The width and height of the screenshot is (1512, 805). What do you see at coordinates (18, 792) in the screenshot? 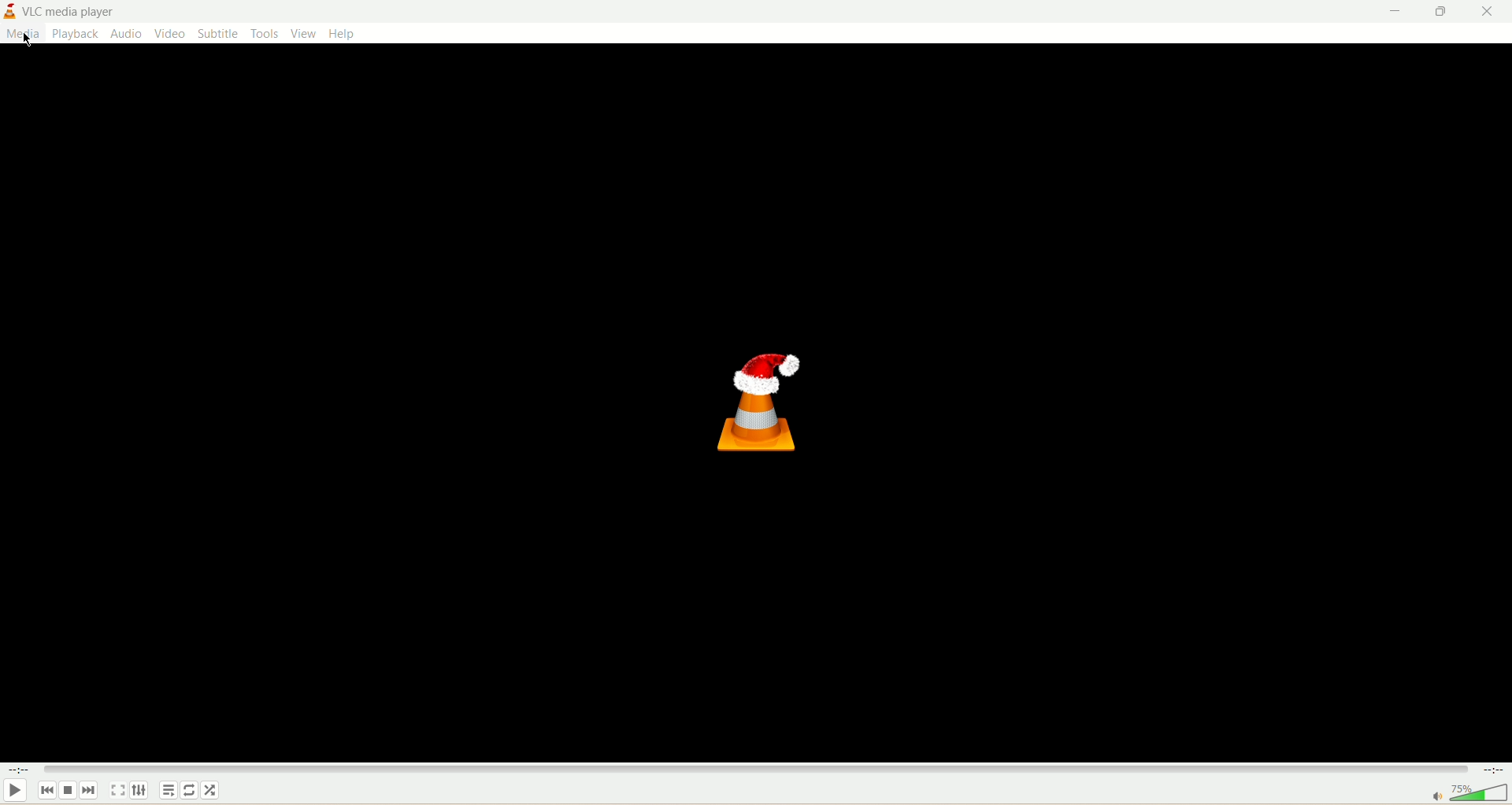
I see `play` at bounding box center [18, 792].